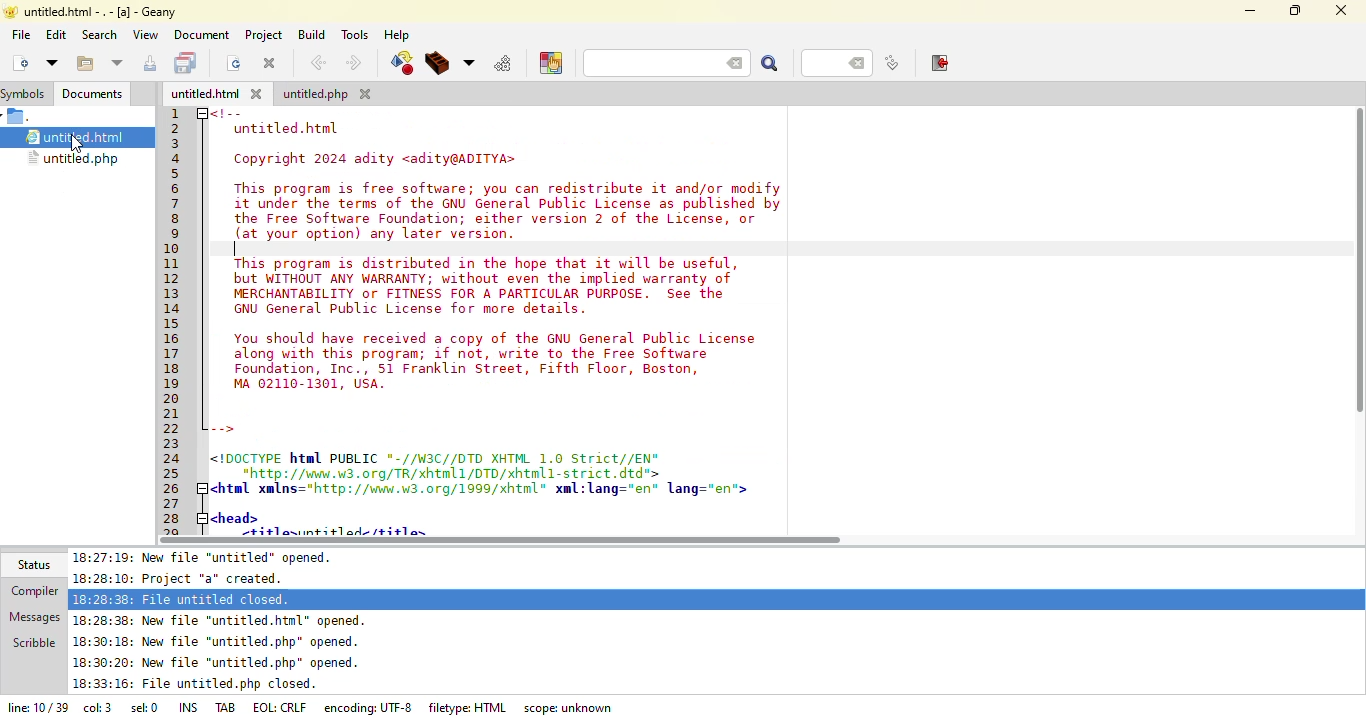 The width and height of the screenshot is (1366, 718). Describe the element at coordinates (146, 35) in the screenshot. I see `view` at that location.